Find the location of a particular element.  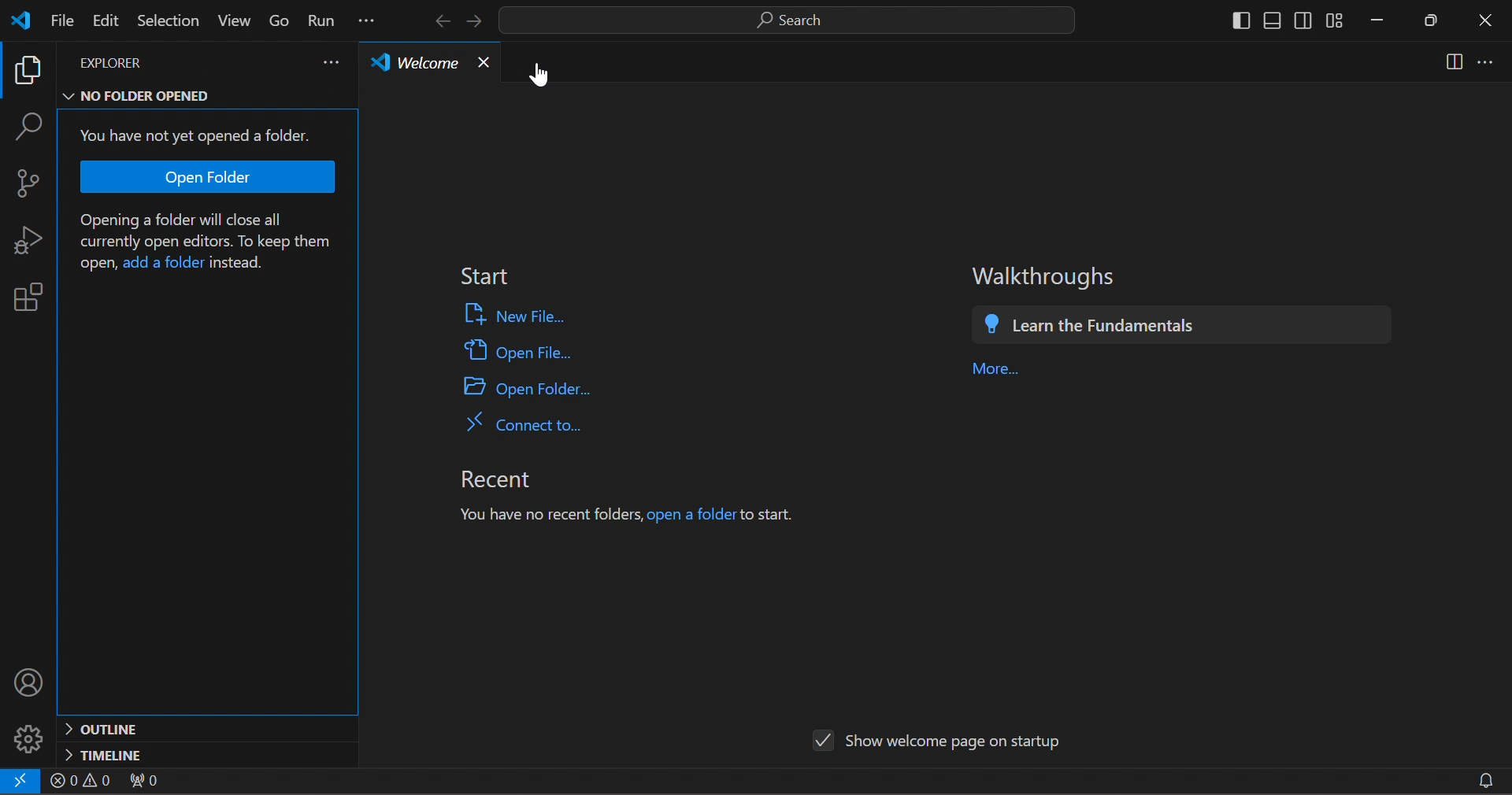

close window is located at coordinates (1485, 17).